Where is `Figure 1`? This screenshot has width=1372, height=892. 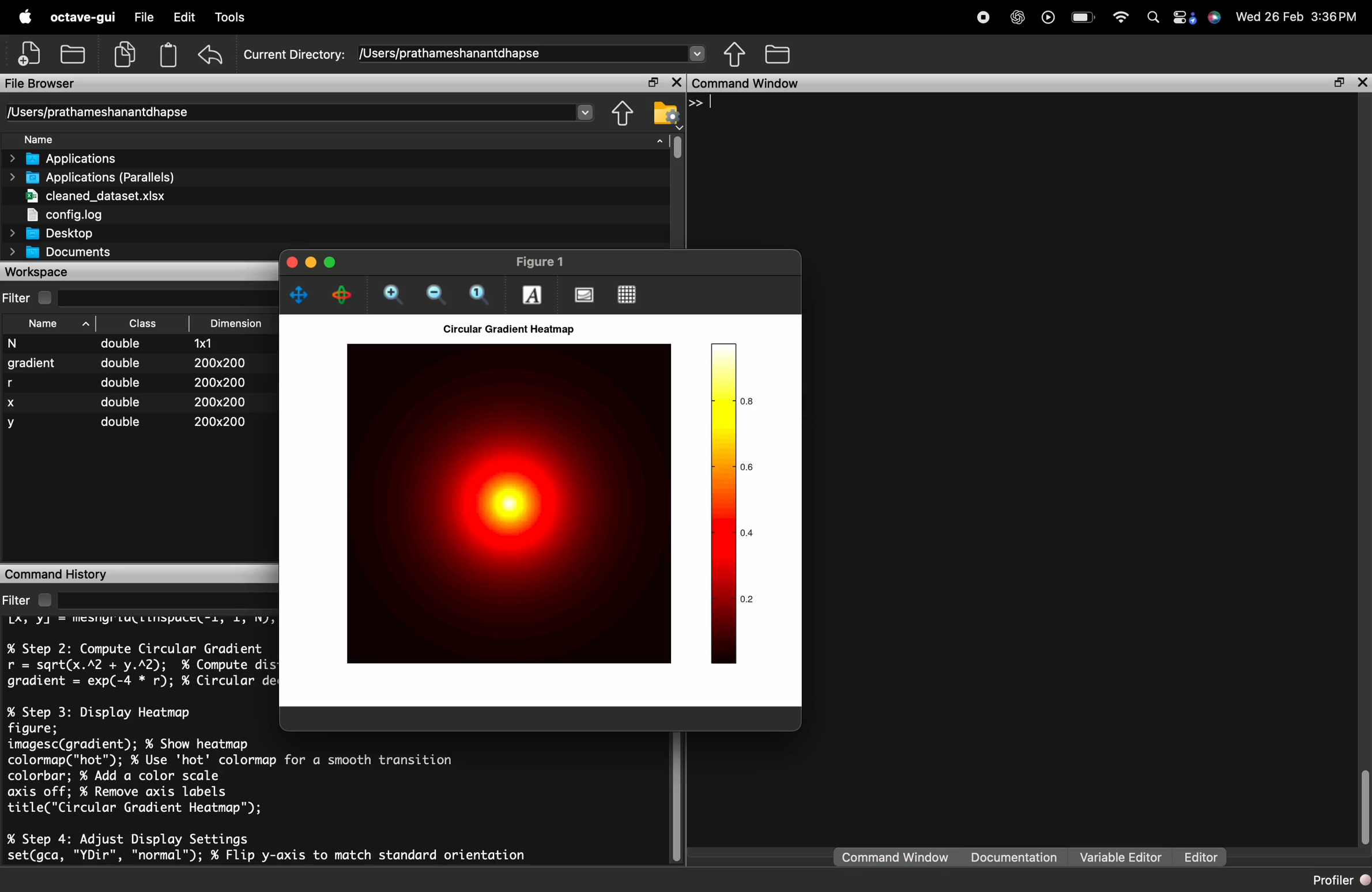
Figure 1 is located at coordinates (539, 262).